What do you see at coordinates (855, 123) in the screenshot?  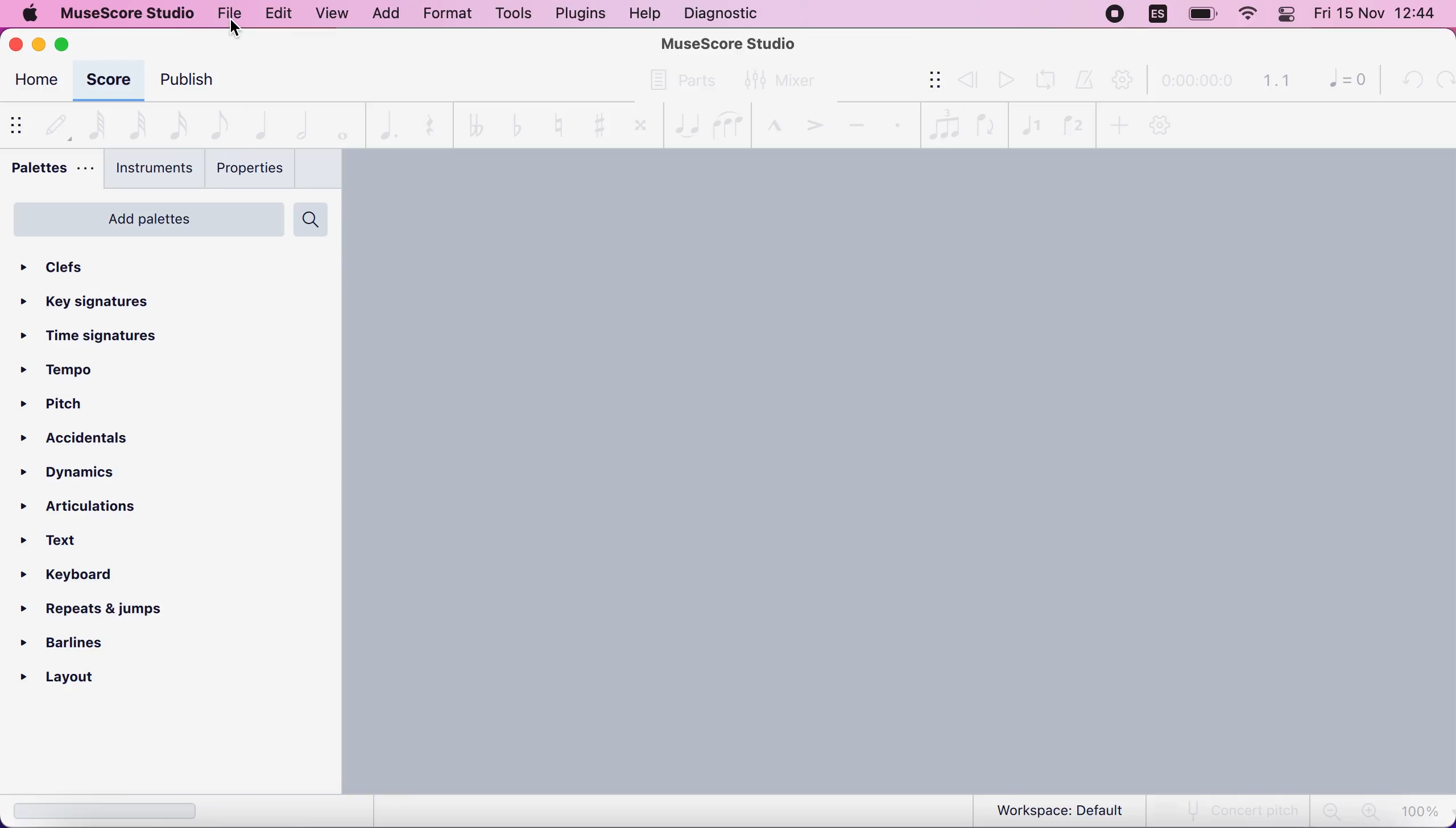 I see `tenuto` at bounding box center [855, 123].